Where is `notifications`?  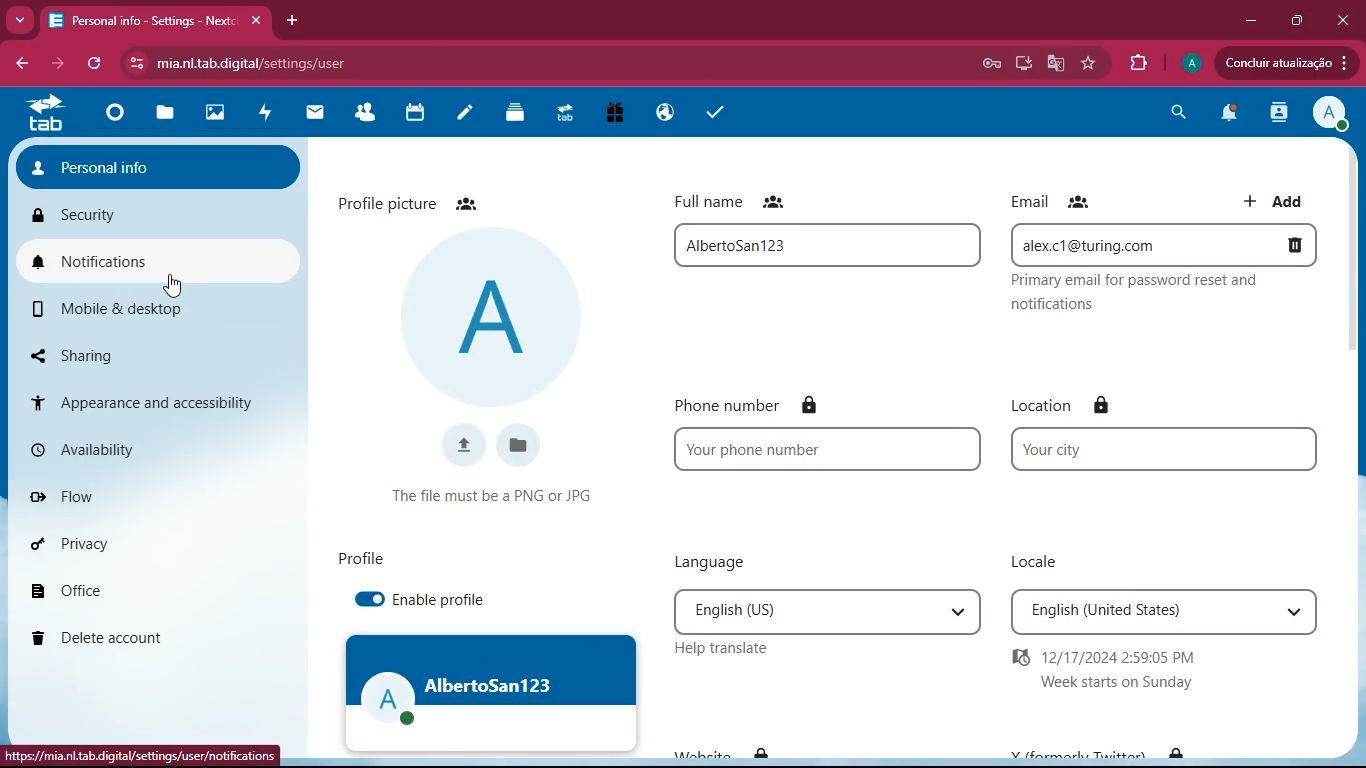
notifications is located at coordinates (149, 259).